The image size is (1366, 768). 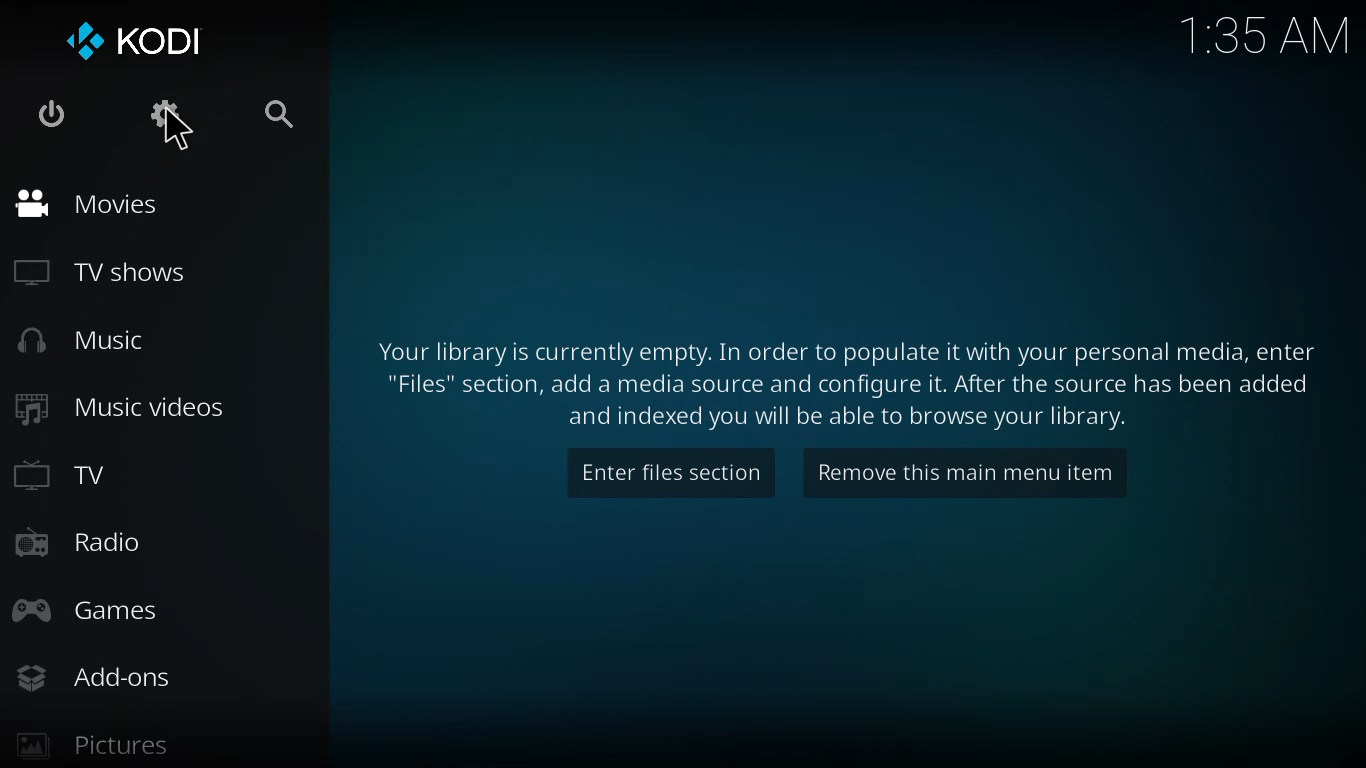 What do you see at coordinates (93, 612) in the screenshot?
I see `games` at bounding box center [93, 612].